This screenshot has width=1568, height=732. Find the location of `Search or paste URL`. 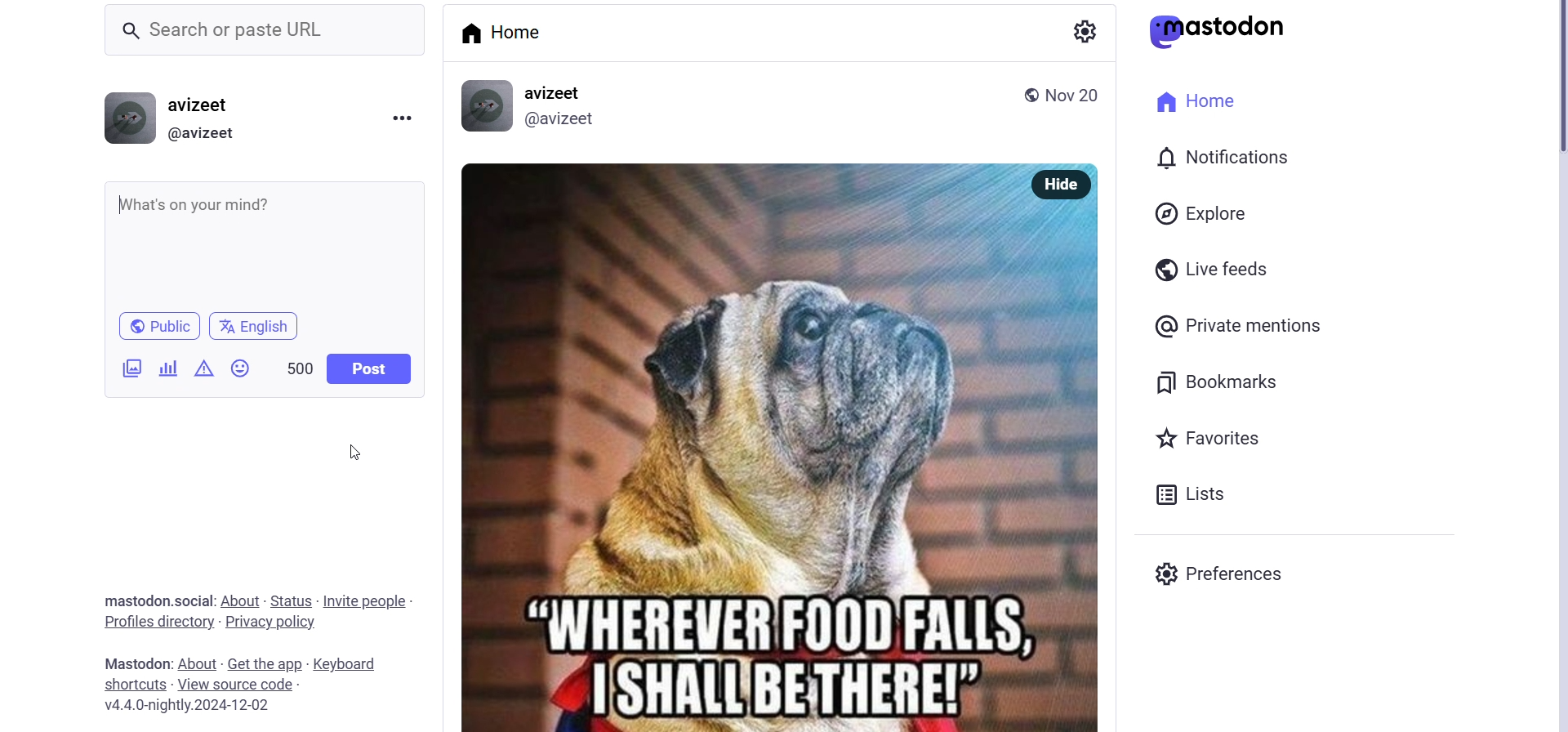

Search or paste URL is located at coordinates (273, 30).